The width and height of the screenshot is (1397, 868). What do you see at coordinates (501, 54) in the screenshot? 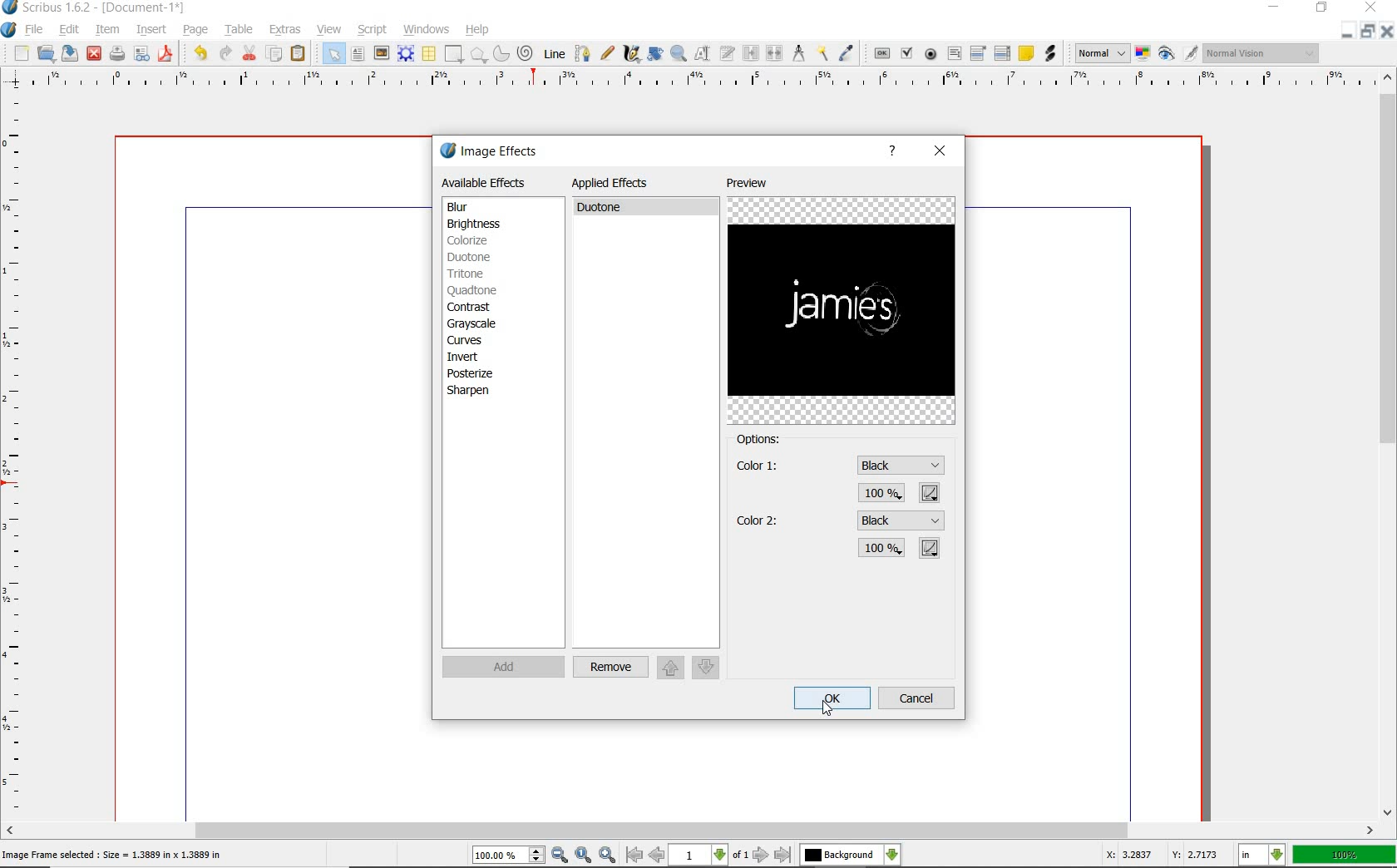
I see `ARC` at bounding box center [501, 54].